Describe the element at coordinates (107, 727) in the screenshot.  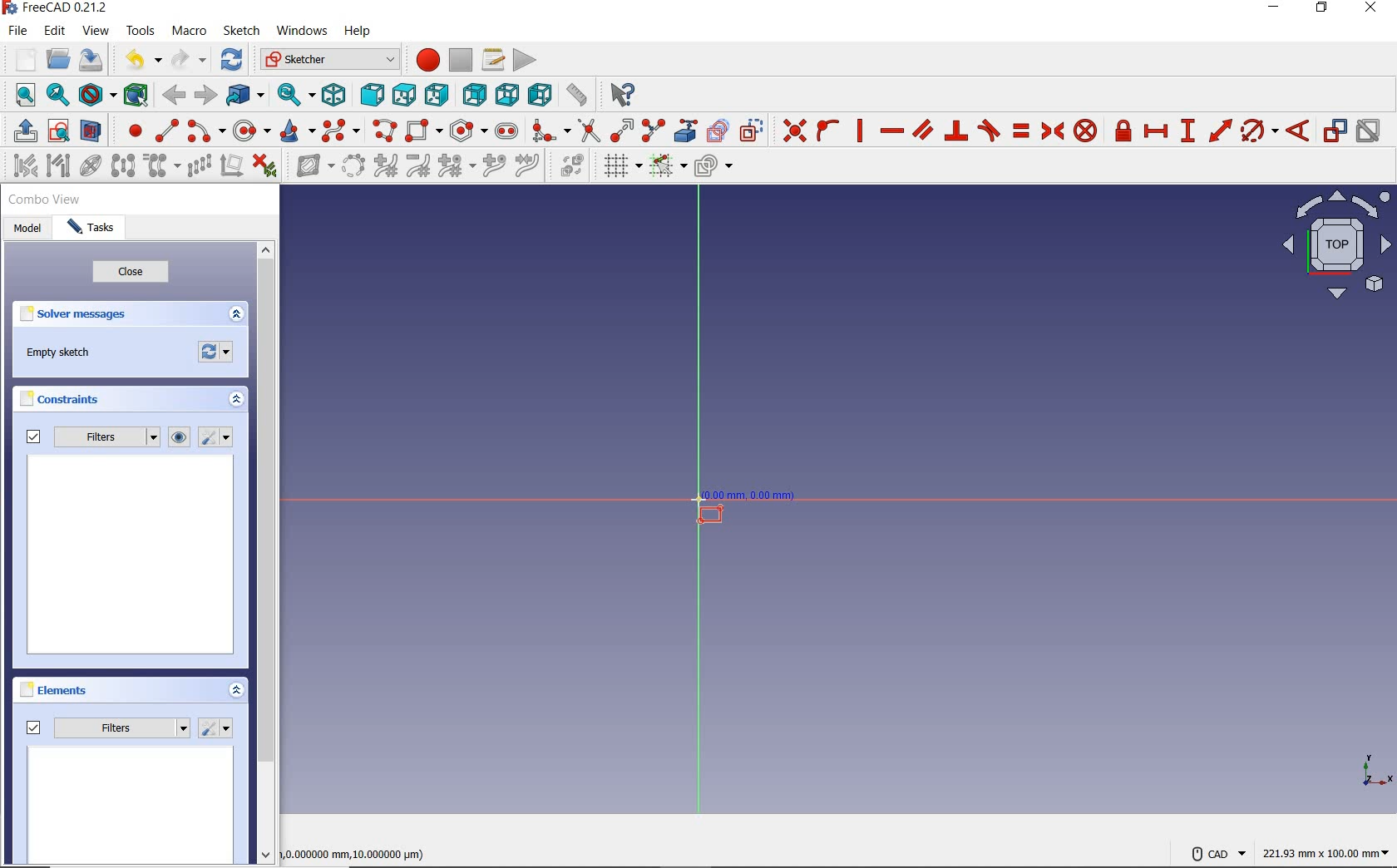
I see `filters` at that location.